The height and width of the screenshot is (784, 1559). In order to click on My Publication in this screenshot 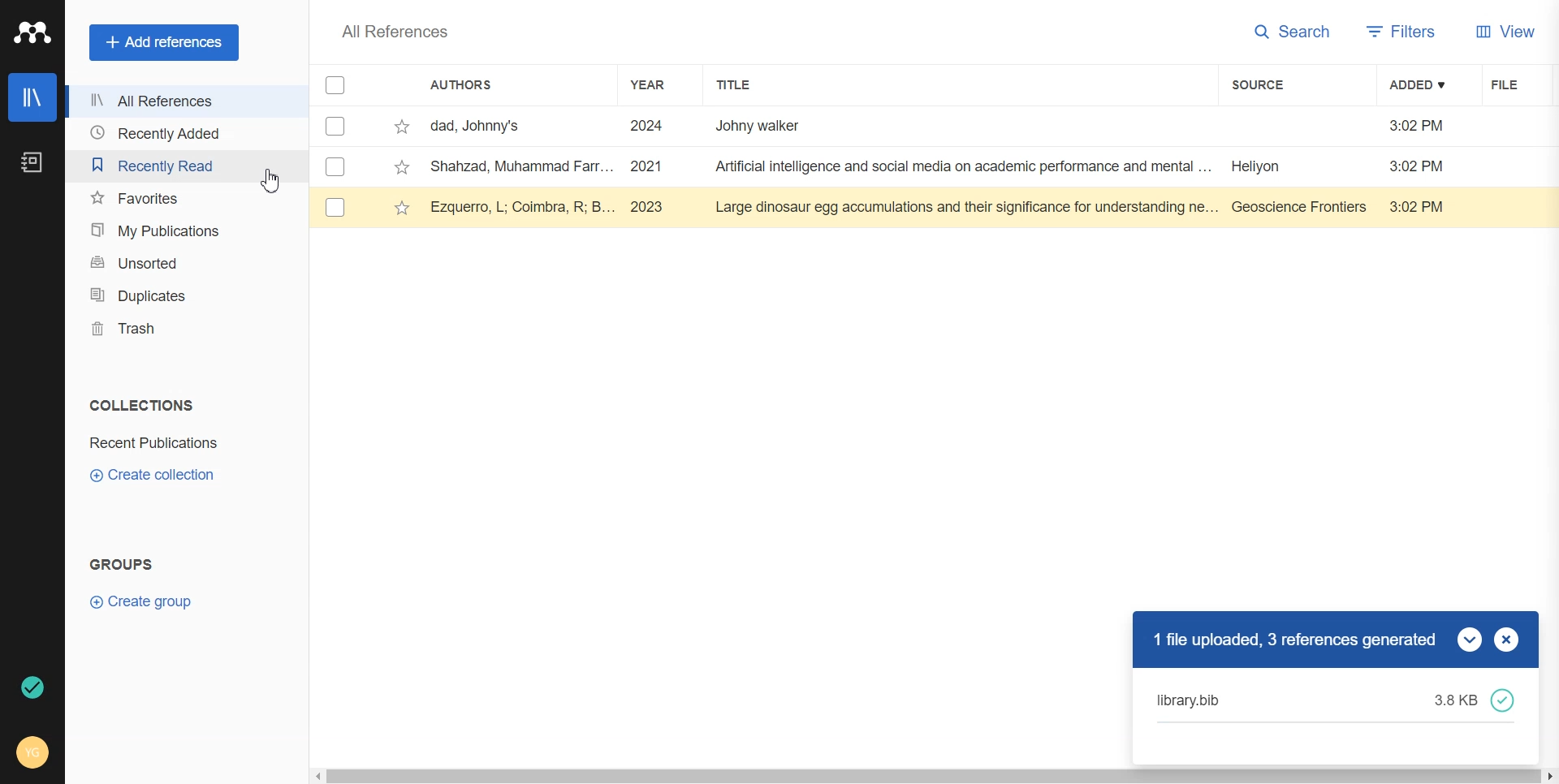, I will do `click(183, 226)`.